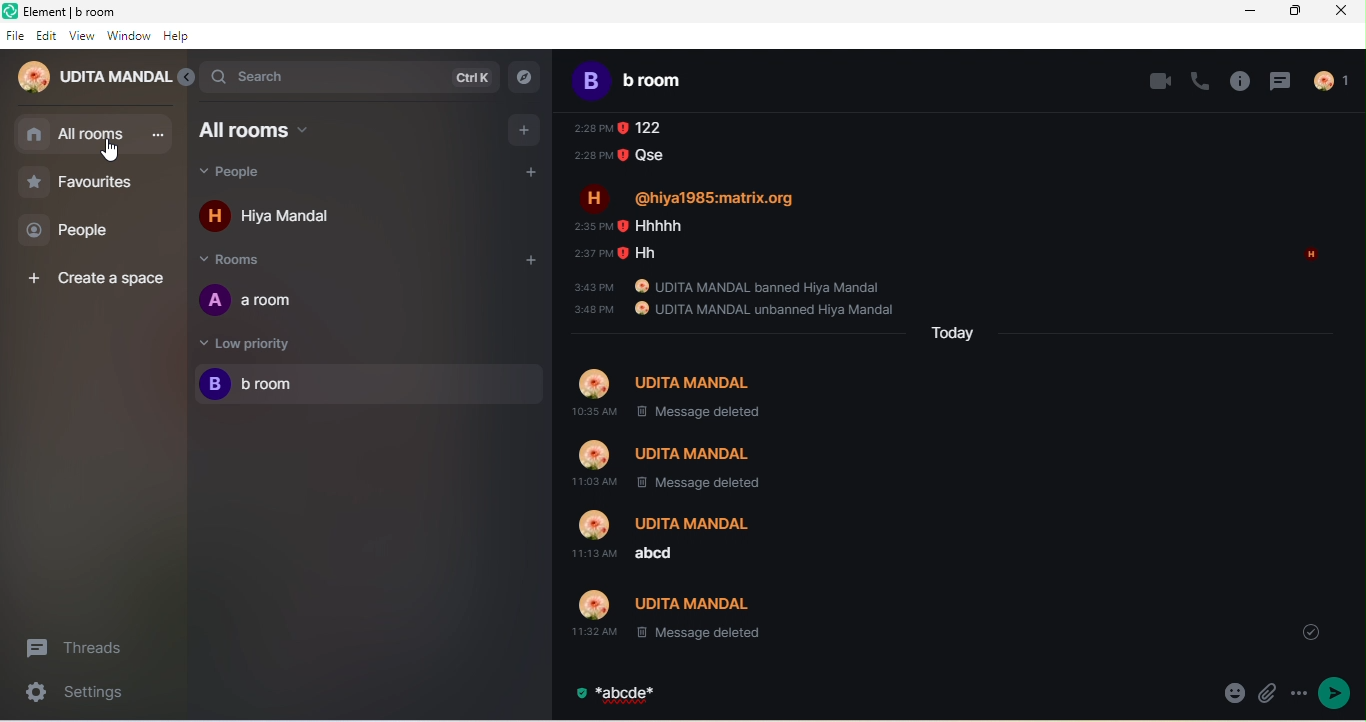 This screenshot has width=1366, height=722. Describe the element at coordinates (523, 129) in the screenshot. I see `add room` at that location.